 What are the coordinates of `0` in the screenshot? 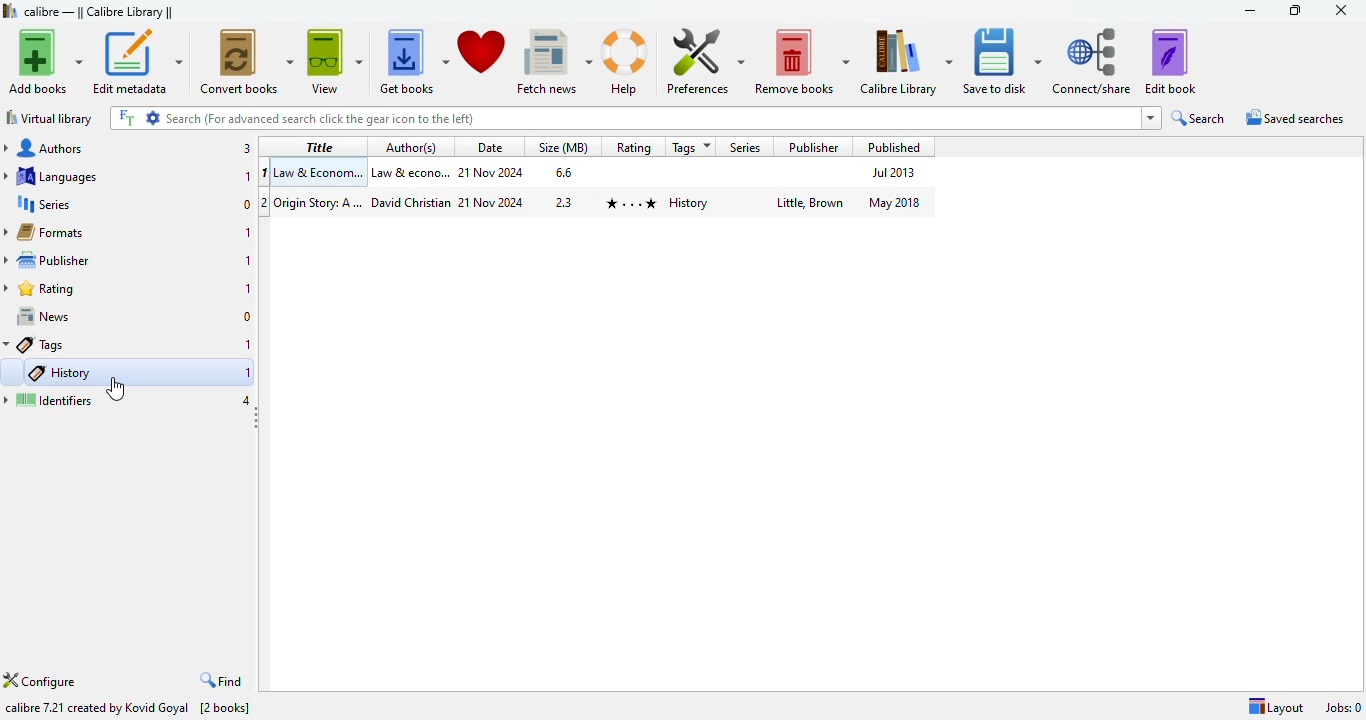 It's located at (248, 317).